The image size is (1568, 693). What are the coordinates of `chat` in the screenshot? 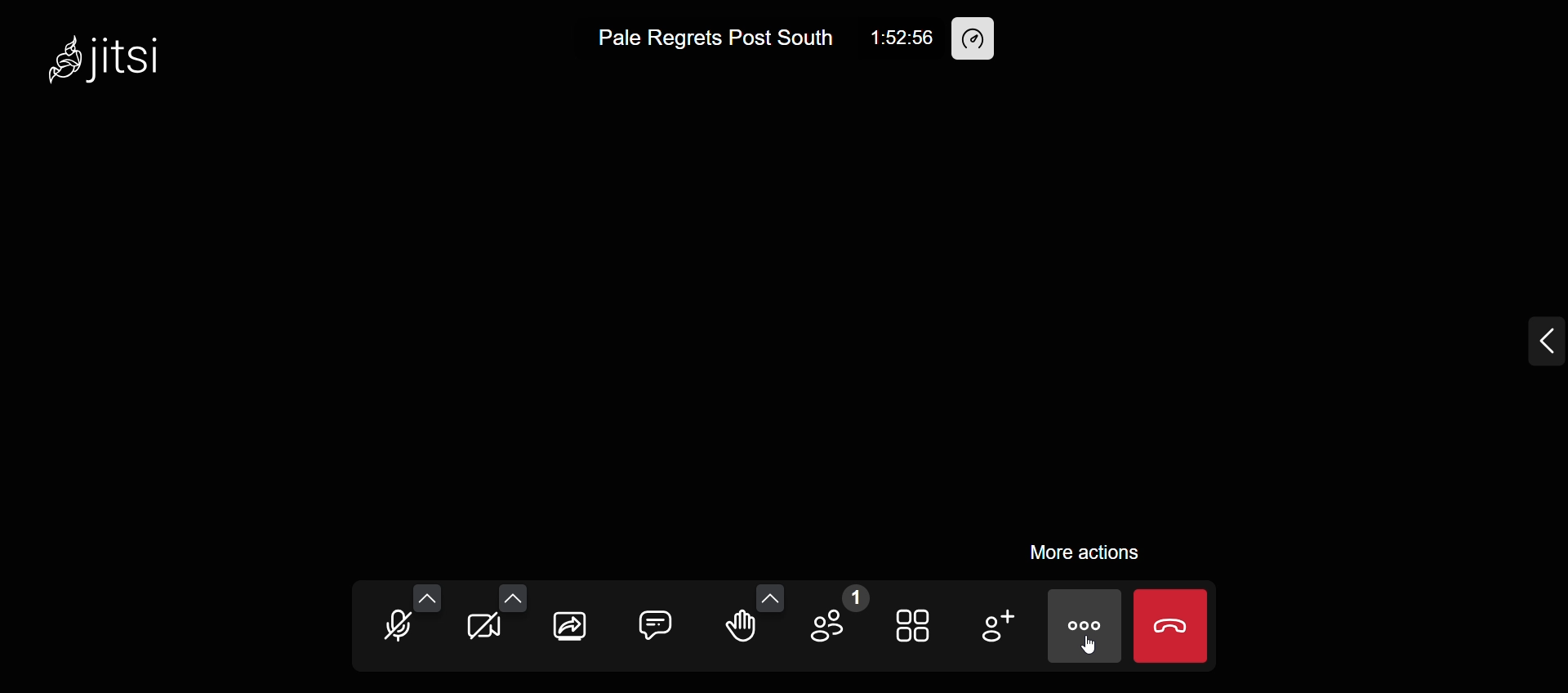 It's located at (658, 619).